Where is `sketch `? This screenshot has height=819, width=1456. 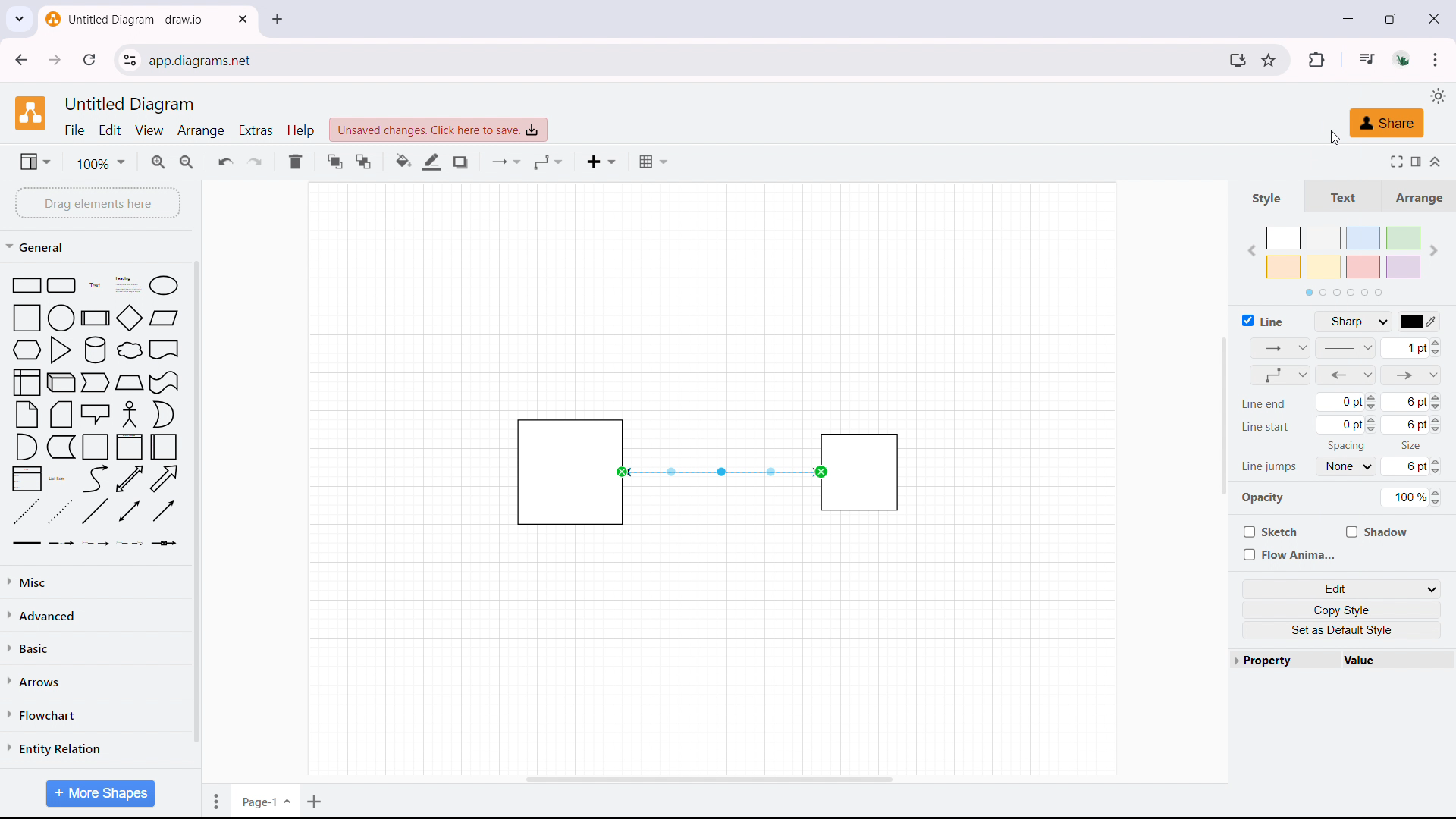 sketch  is located at coordinates (1268, 531).